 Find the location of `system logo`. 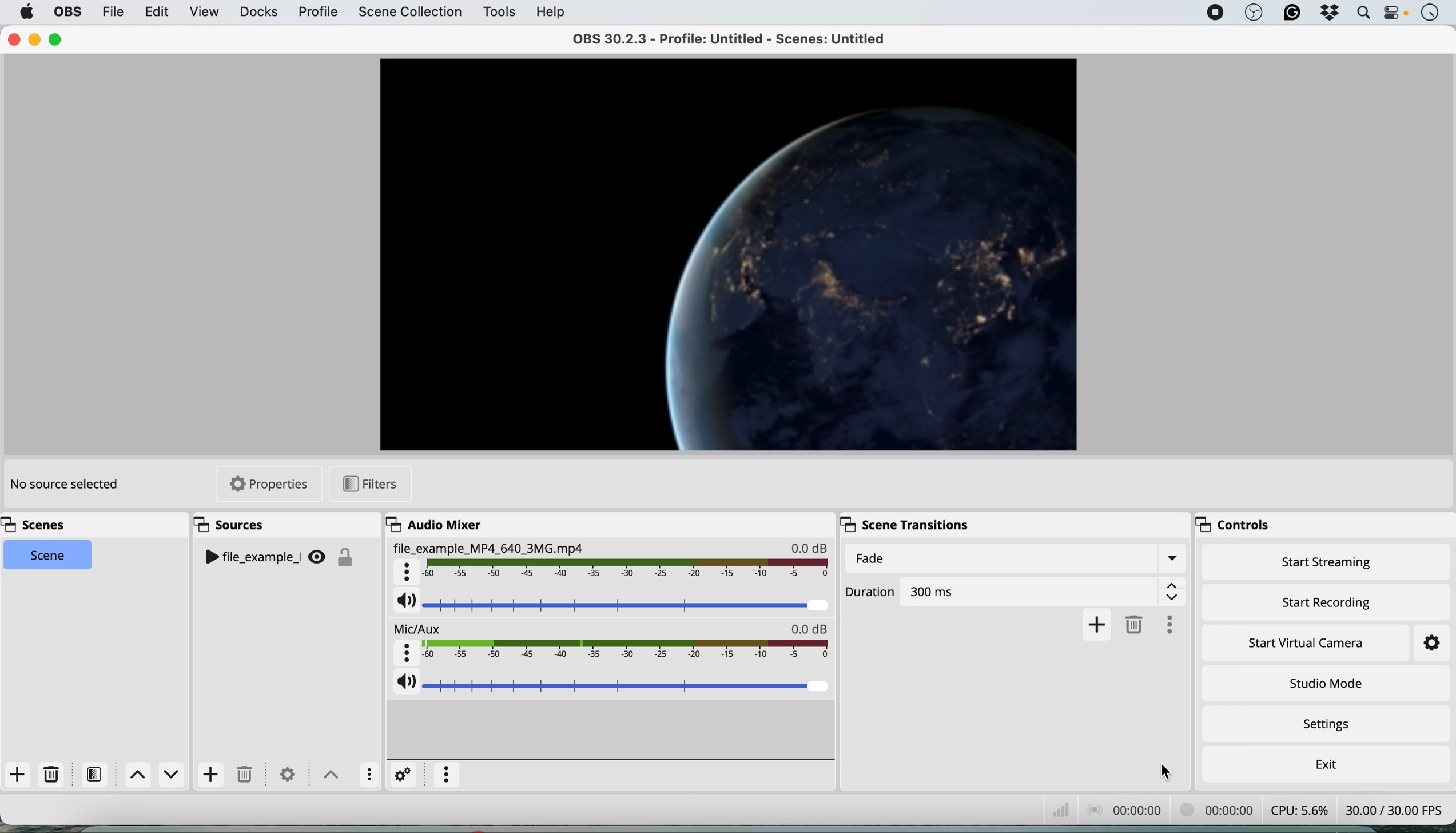

system logo is located at coordinates (27, 12).